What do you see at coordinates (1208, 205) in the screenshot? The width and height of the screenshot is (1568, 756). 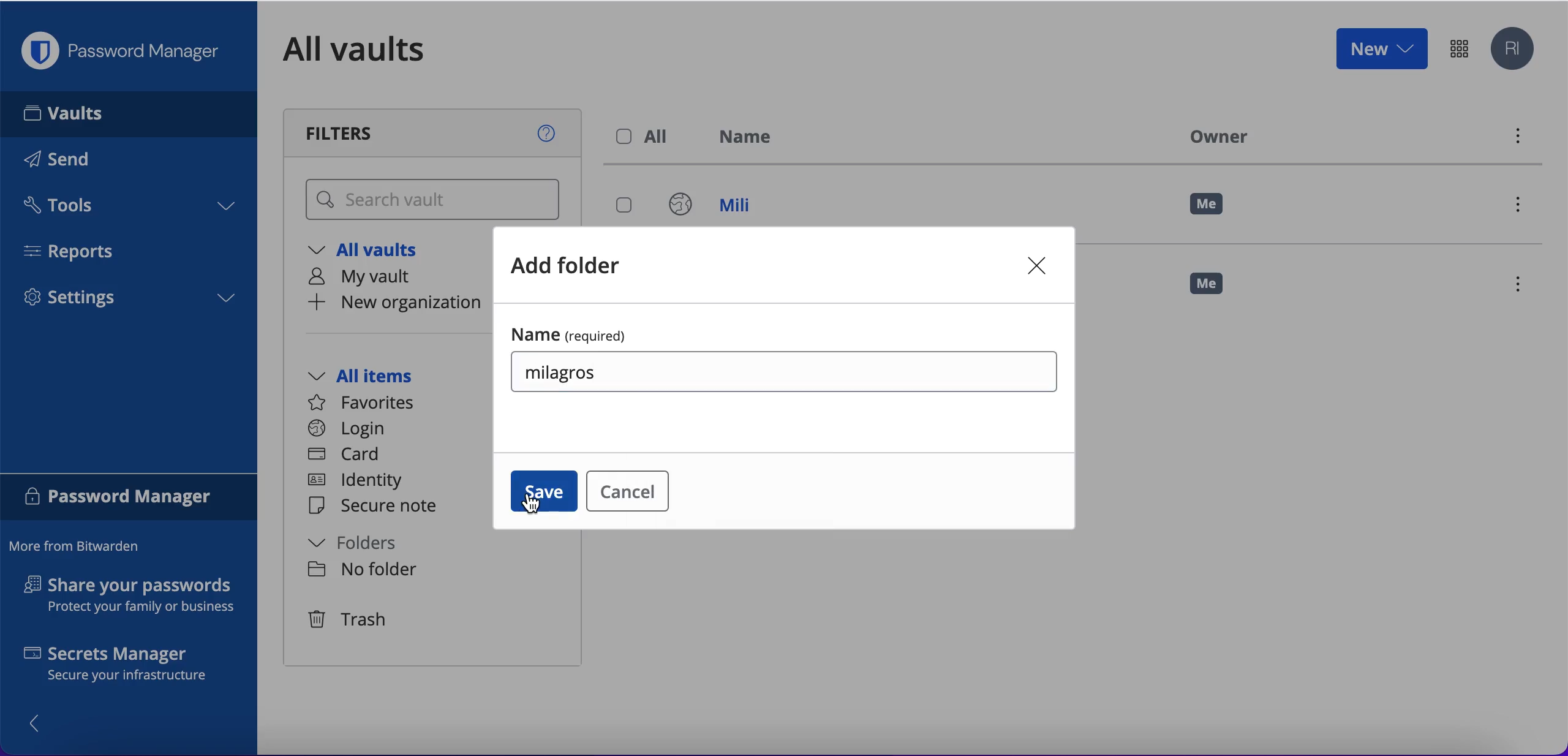 I see `me` at bounding box center [1208, 205].